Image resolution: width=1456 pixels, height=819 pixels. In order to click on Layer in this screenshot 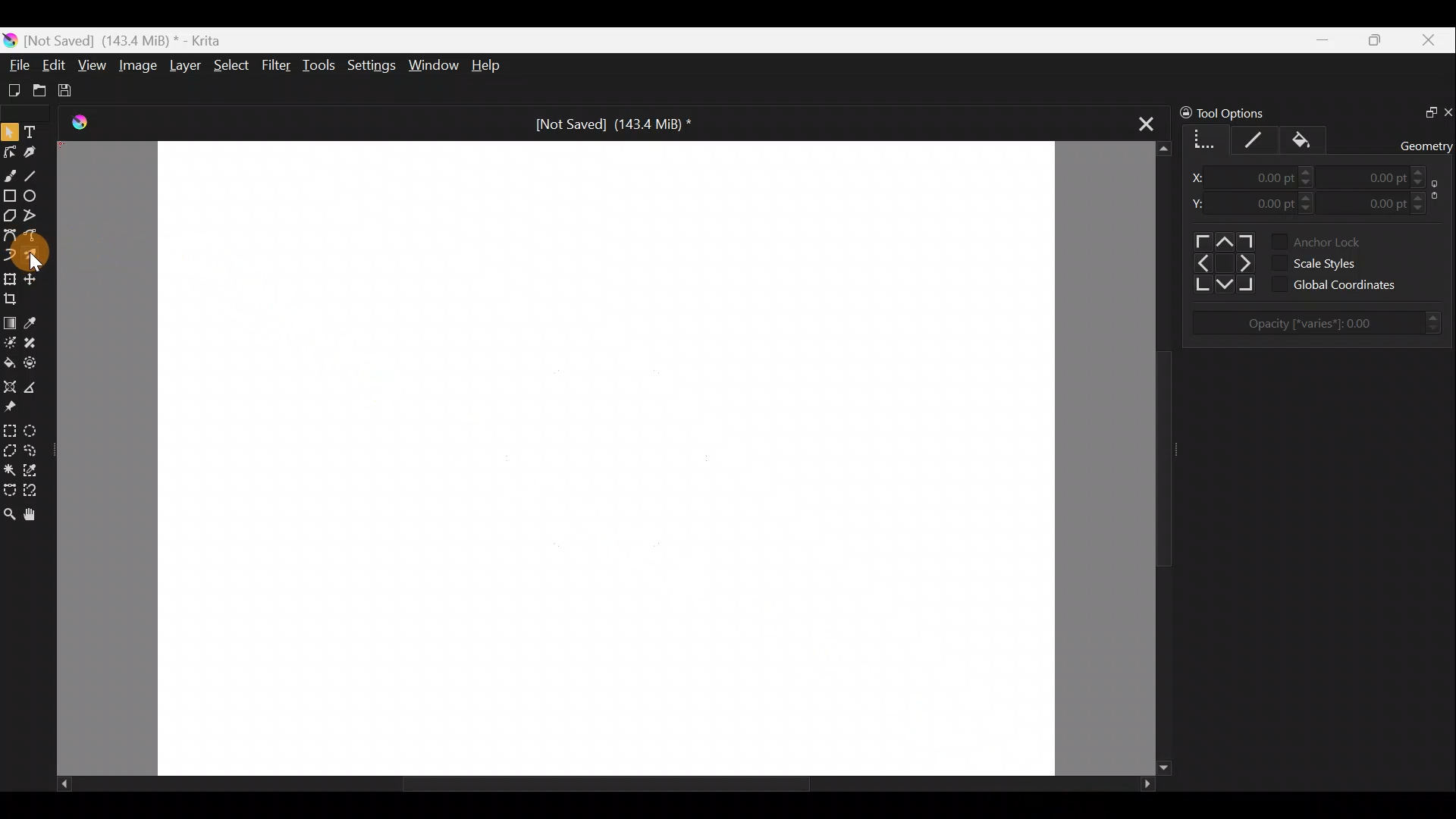, I will do `click(183, 65)`.